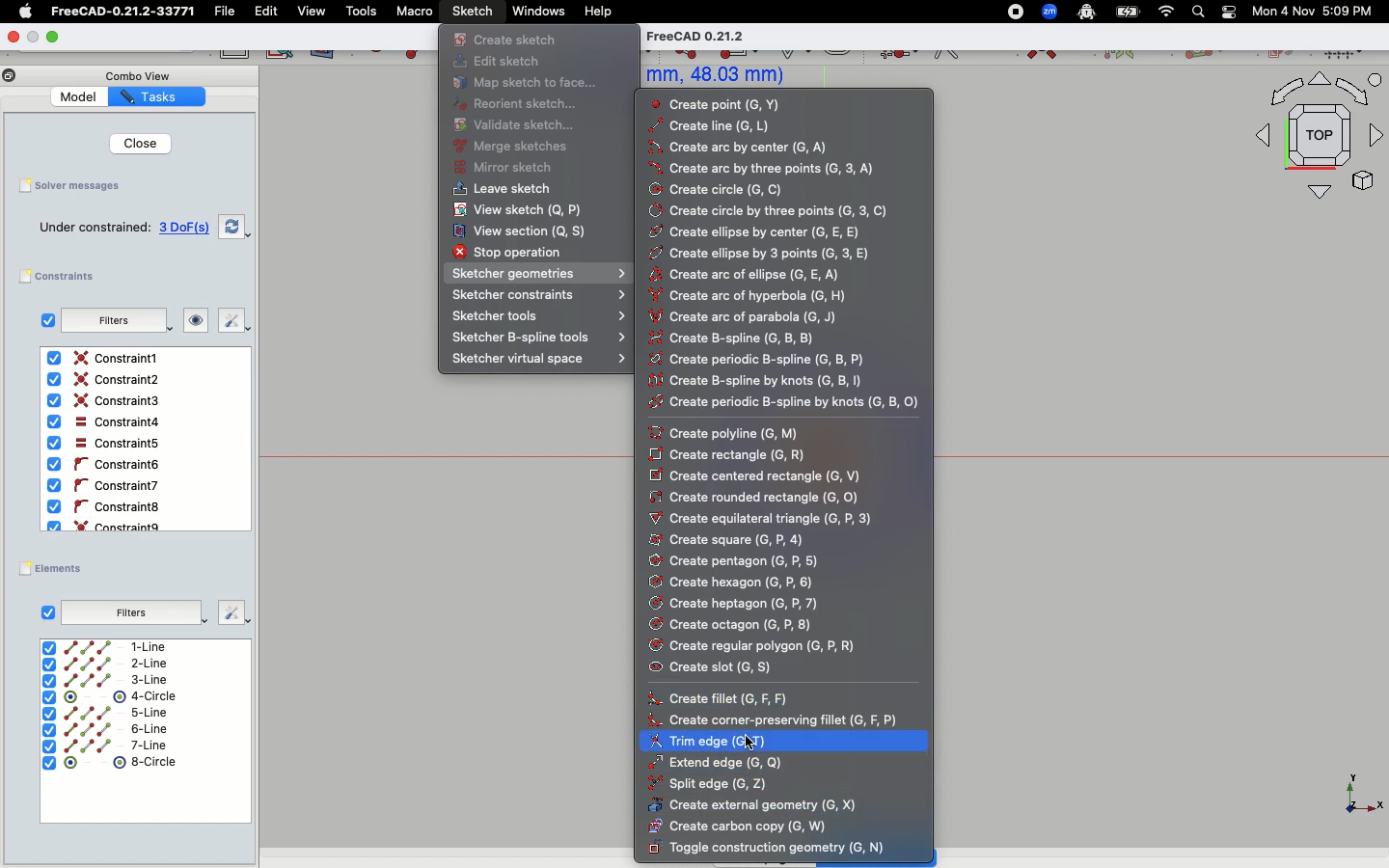  I want to click on 8-circle, so click(121, 762).